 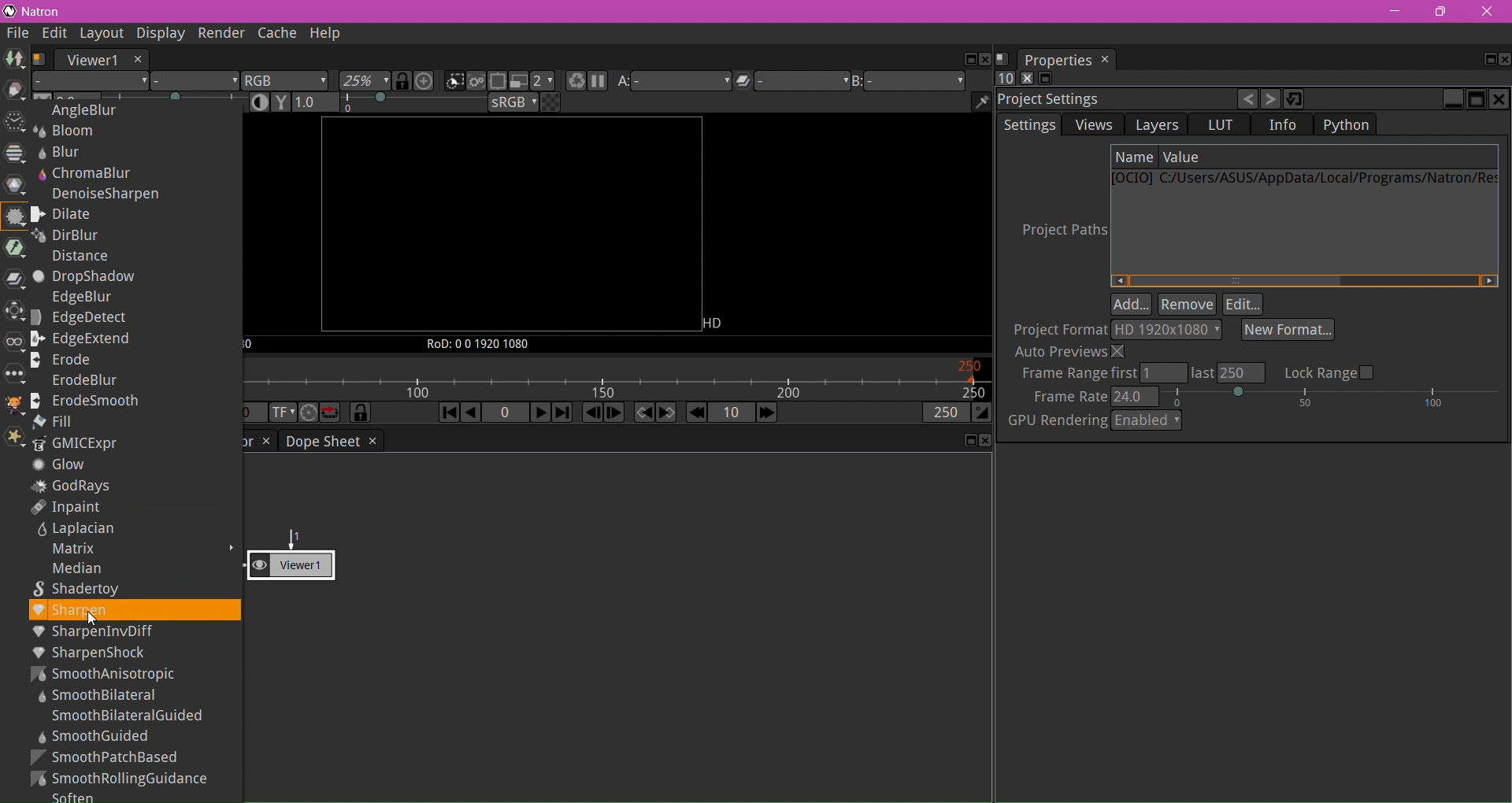 What do you see at coordinates (72, 530) in the screenshot?
I see `Laplacian` at bounding box center [72, 530].